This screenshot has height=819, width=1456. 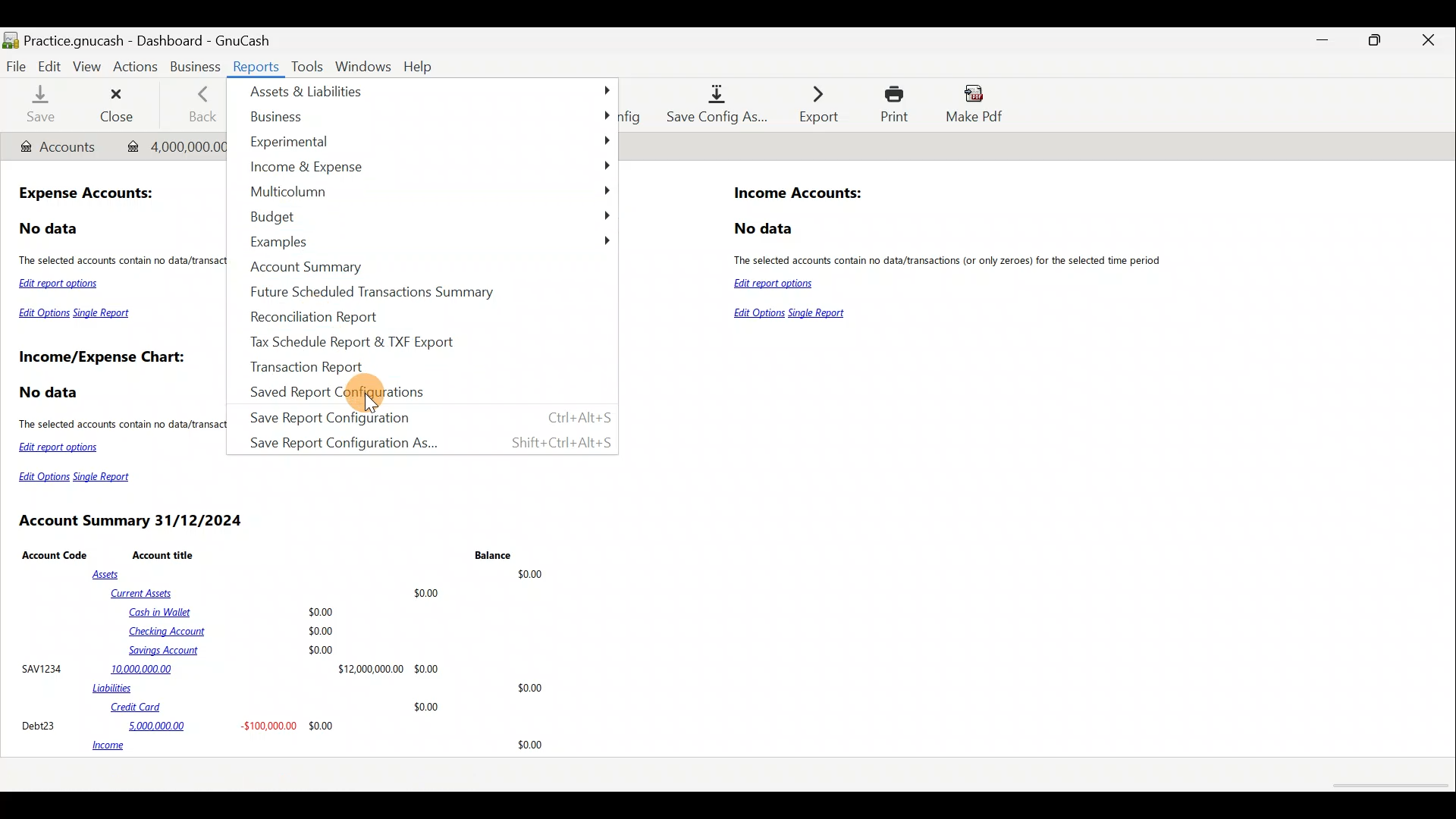 What do you see at coordinates (712, 105) in the screenshot?
I see `Save config as` at bounding box center [712, 105].